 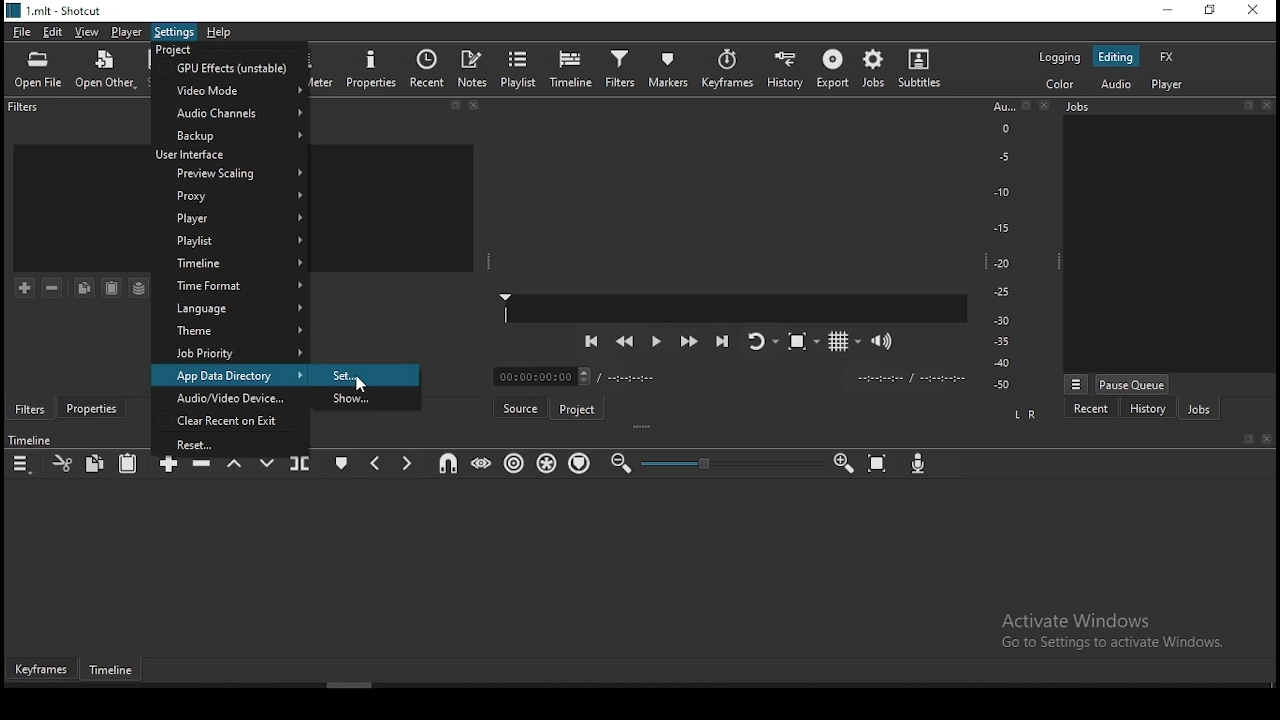 What do you see at coordinates (107, 68) in the screenshot?
I see `open other` at bounding box center [107, 68].